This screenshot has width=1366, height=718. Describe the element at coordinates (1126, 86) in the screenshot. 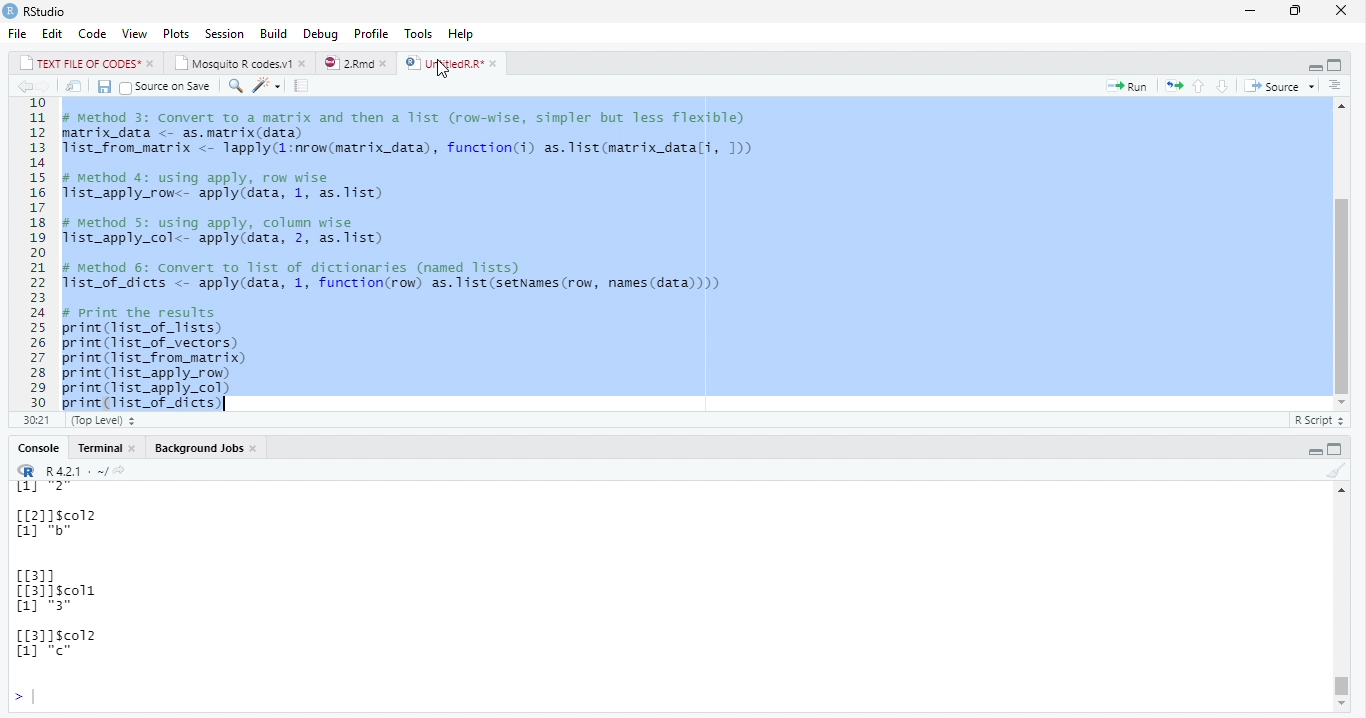

I see `run the current line or selection` at that location.